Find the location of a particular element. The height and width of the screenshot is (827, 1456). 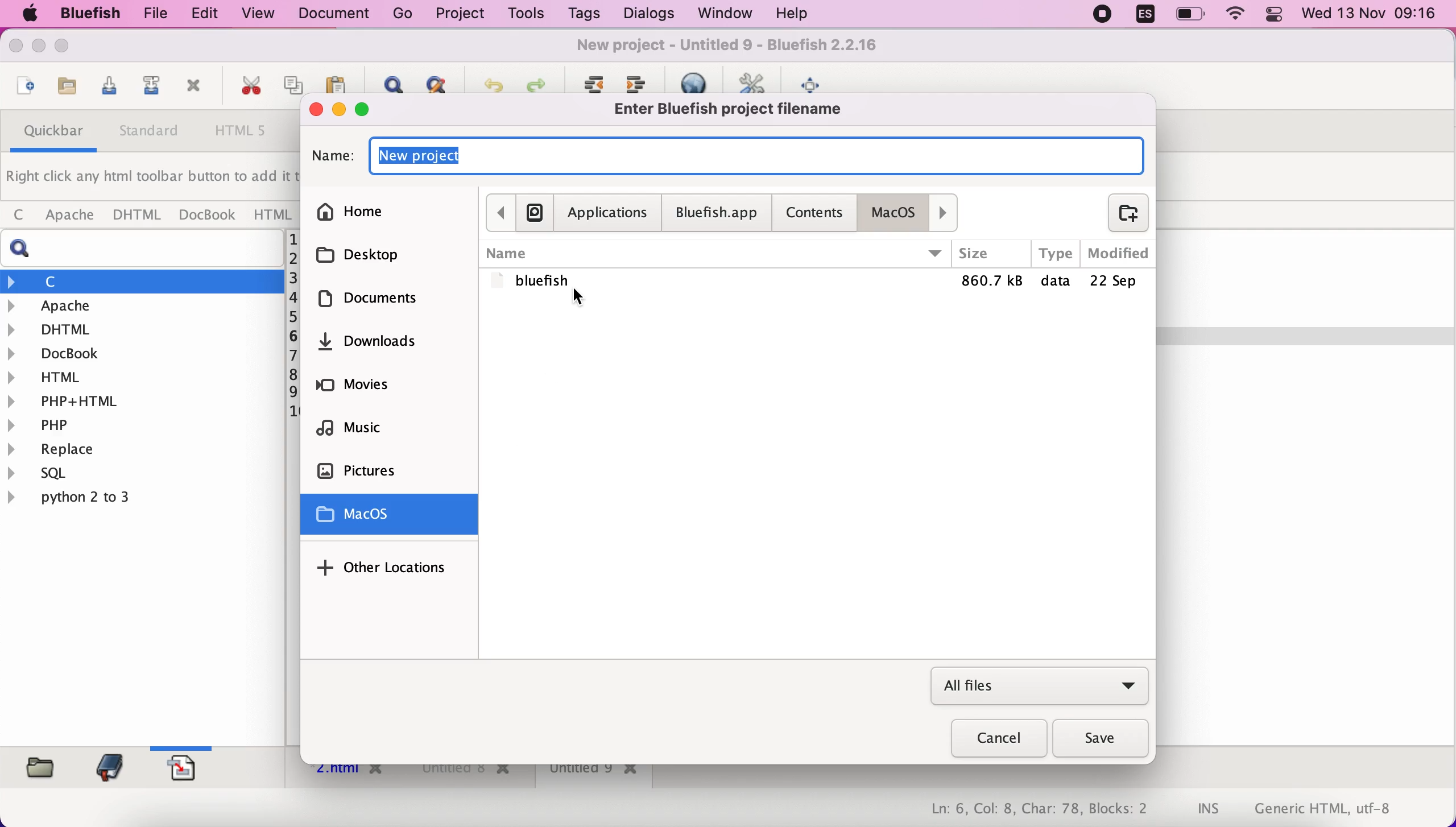

php+html is located at coordinates (141, 400).